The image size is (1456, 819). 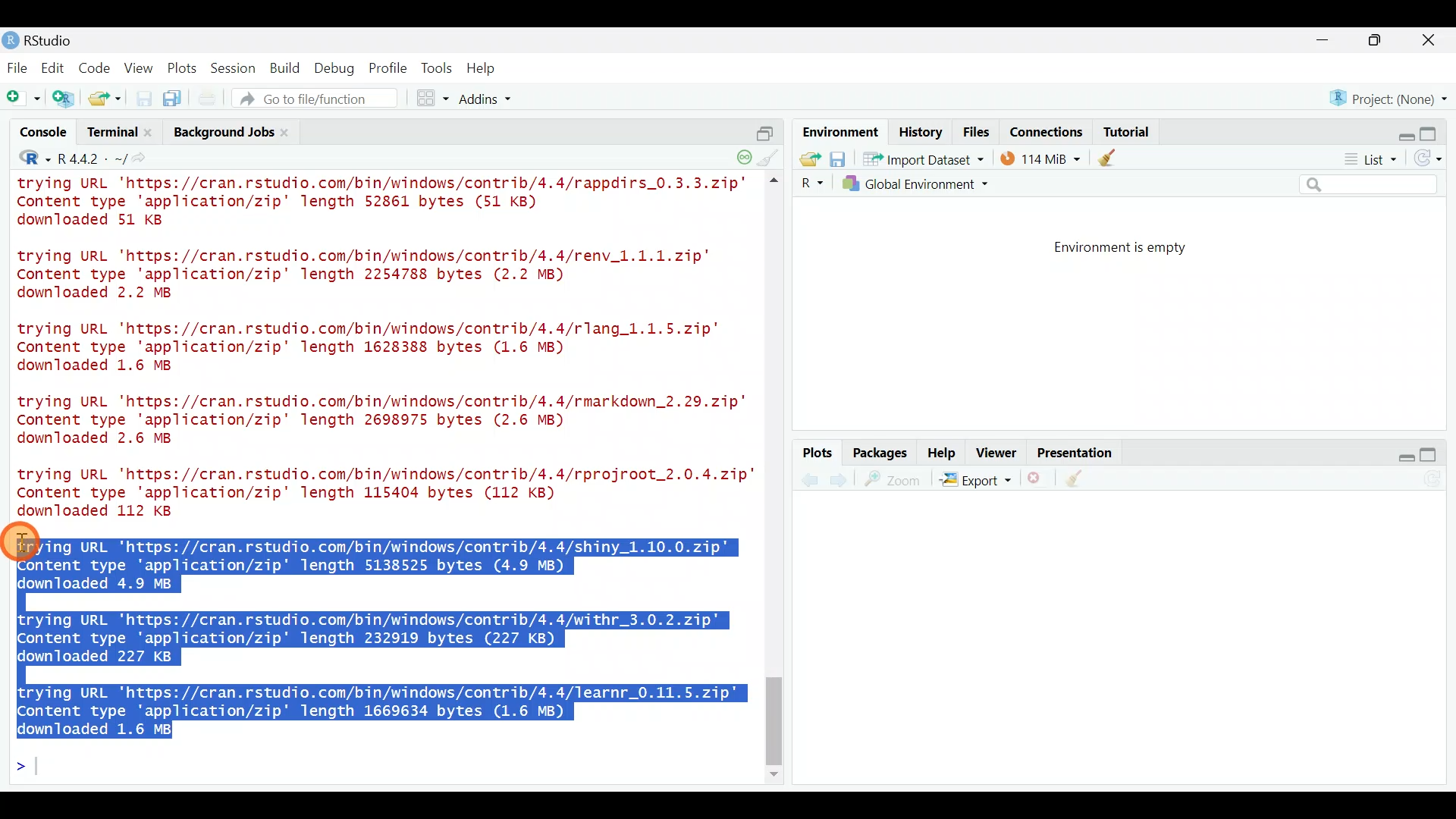 What do you see at coordinates (151, 133) in the screenshot?
I see `close terminal` at bounding box center [151, 133].